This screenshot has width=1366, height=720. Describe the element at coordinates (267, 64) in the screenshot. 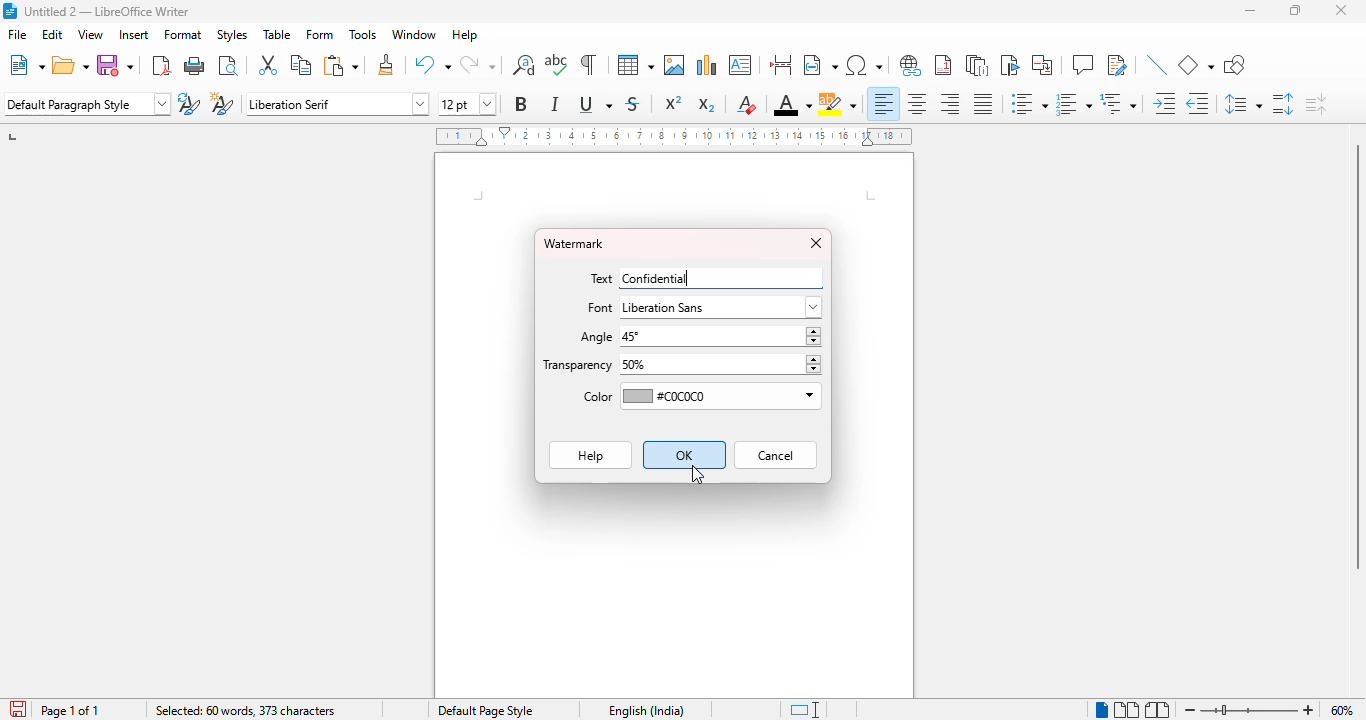

I see `cut` at that location.